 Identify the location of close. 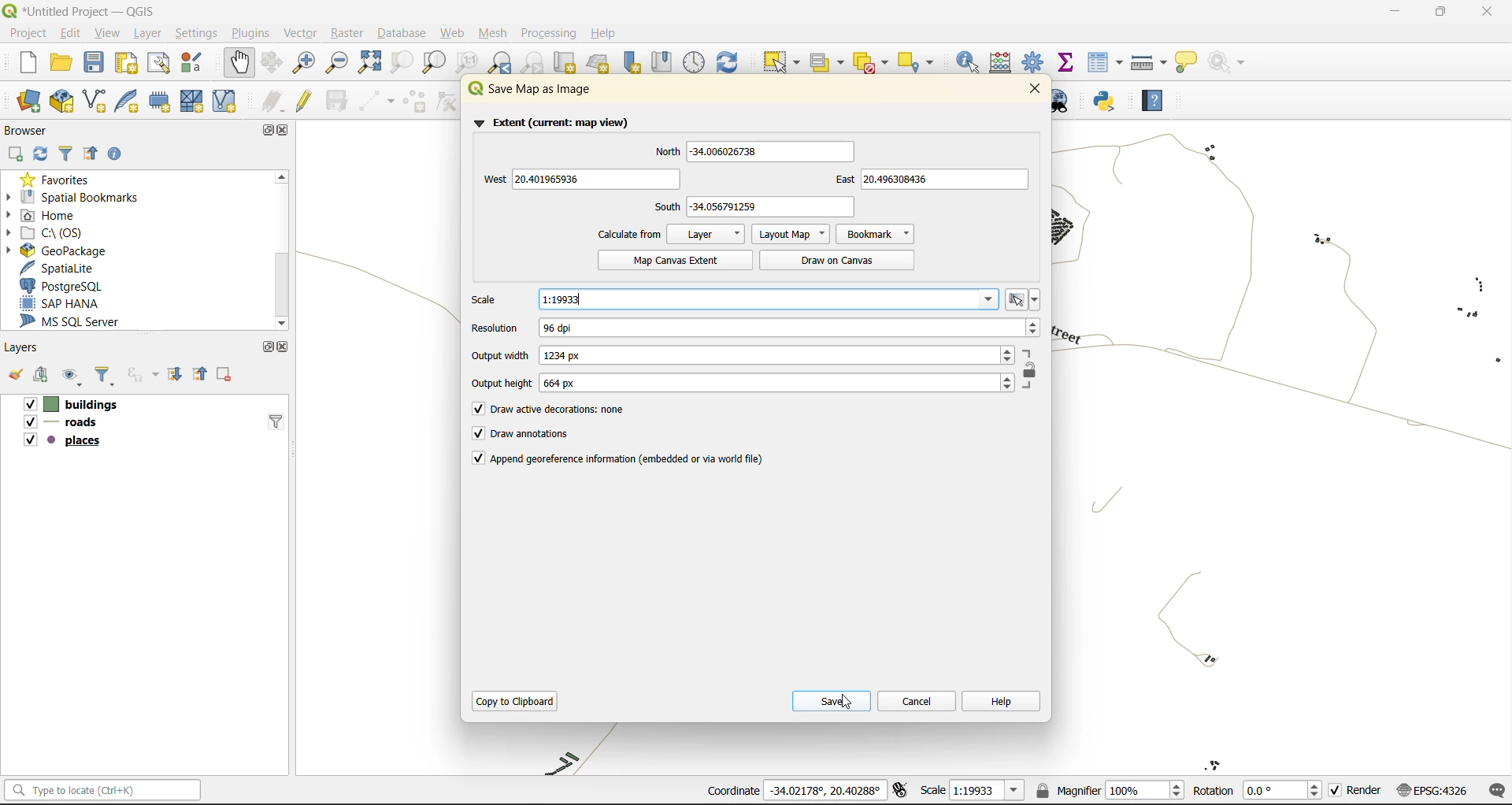
(287, 131).